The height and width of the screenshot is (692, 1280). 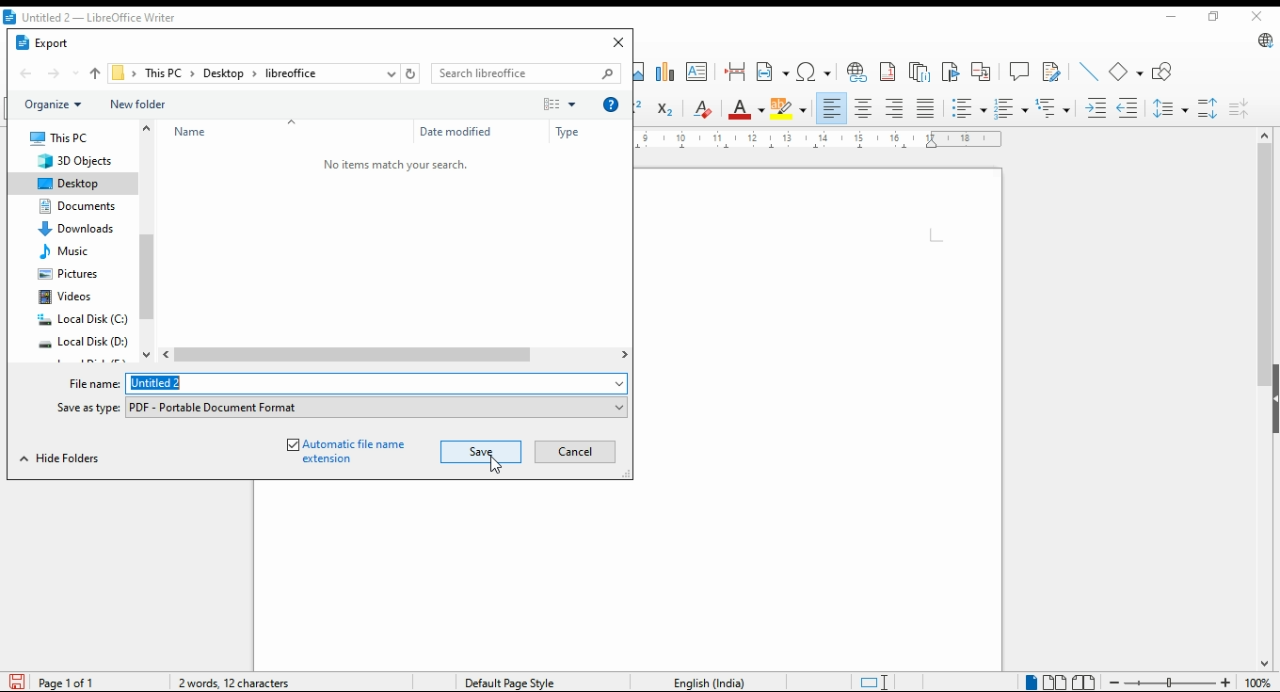 I want to click on system drive 2, so click(x=85, y=345).